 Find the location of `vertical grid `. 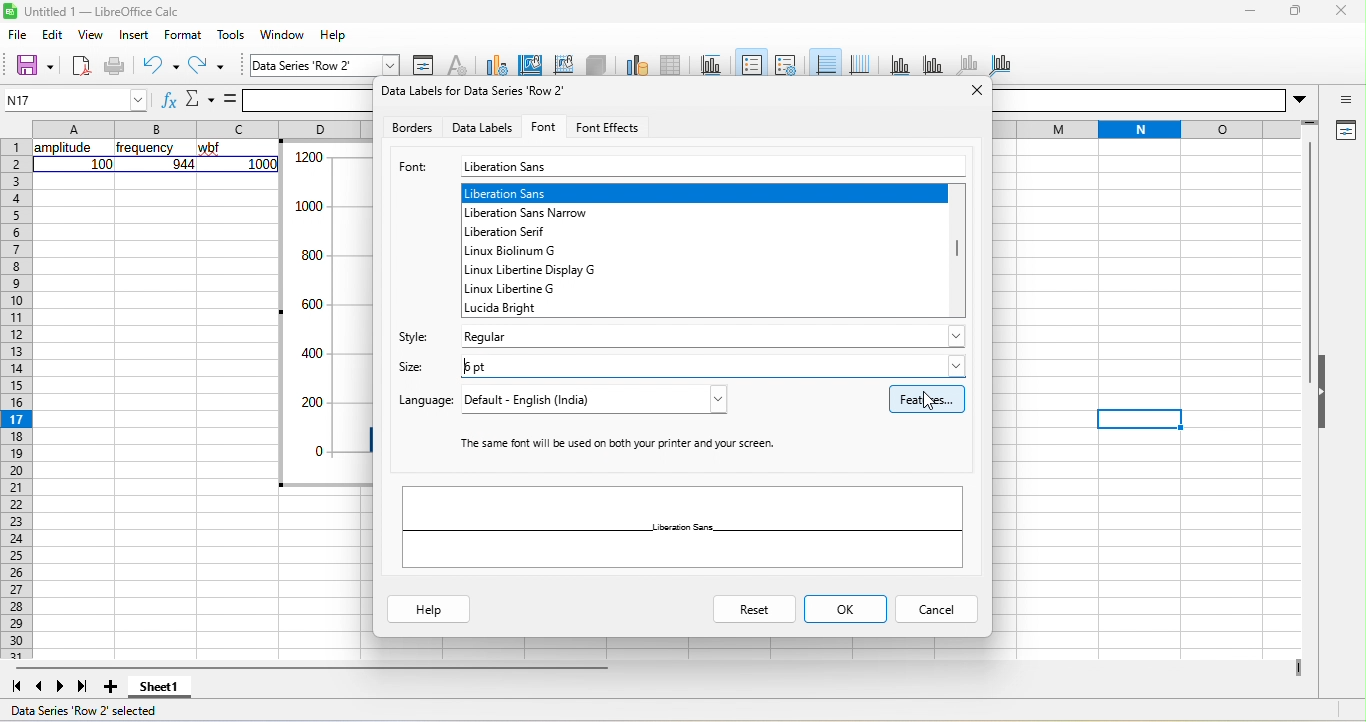

vertical grid  is located at coordinates (864, 59).